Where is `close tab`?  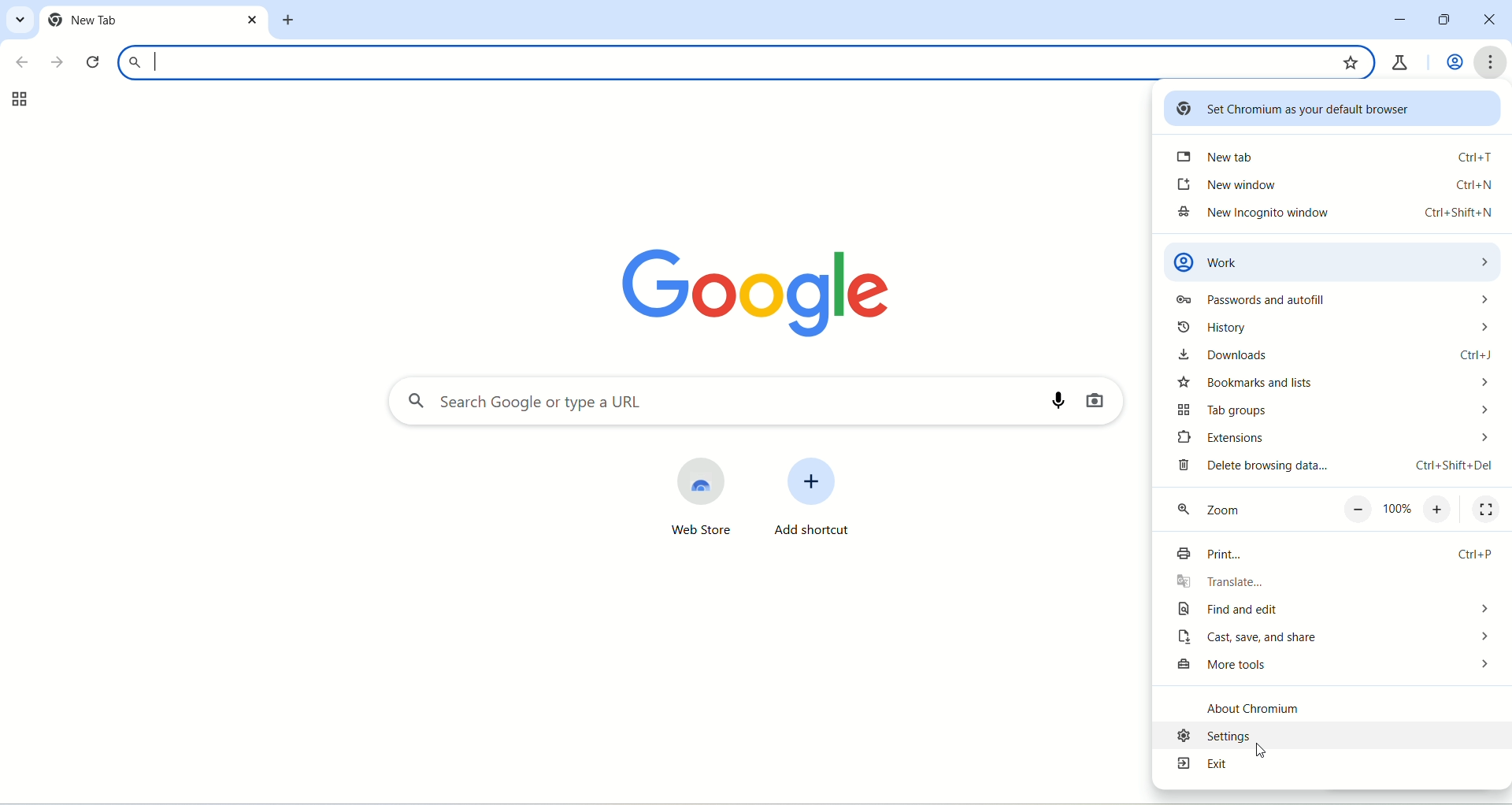
close tab is located at coordinates (253, 20).